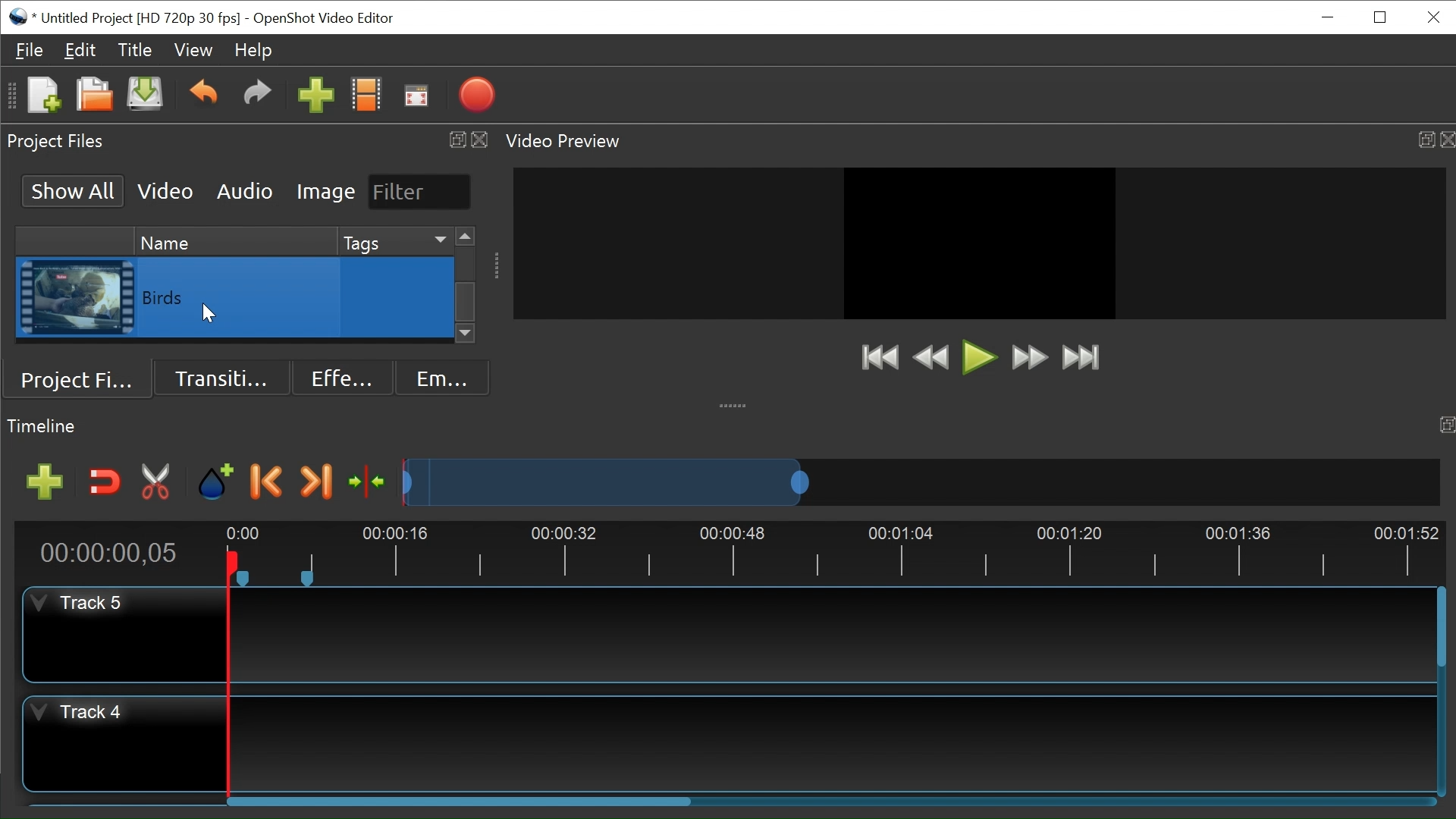 The height and width of the screenshot is (819, 1456). What do you see at coordinates (393, 240) in the screenshot?
I see `Tags` at bounding box center [393, 240].